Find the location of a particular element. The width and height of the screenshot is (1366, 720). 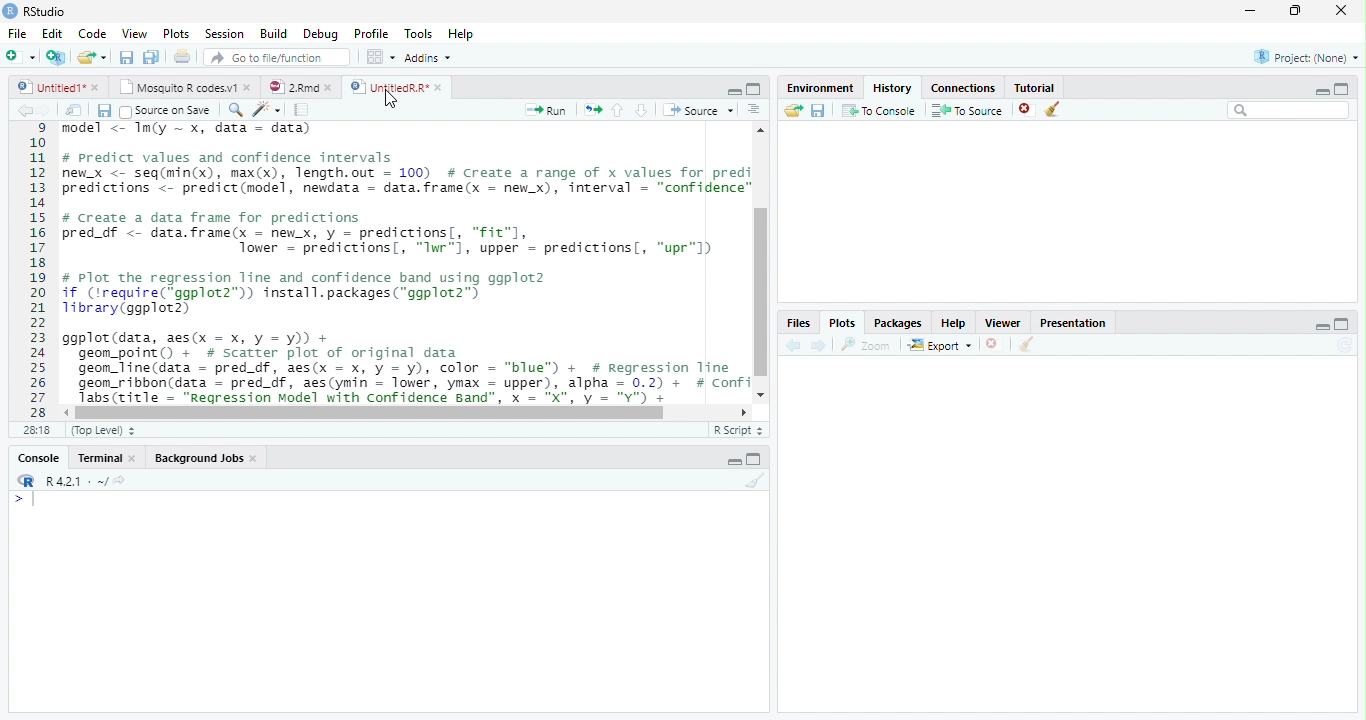

Maximize is located at coordinates (1344, 88).